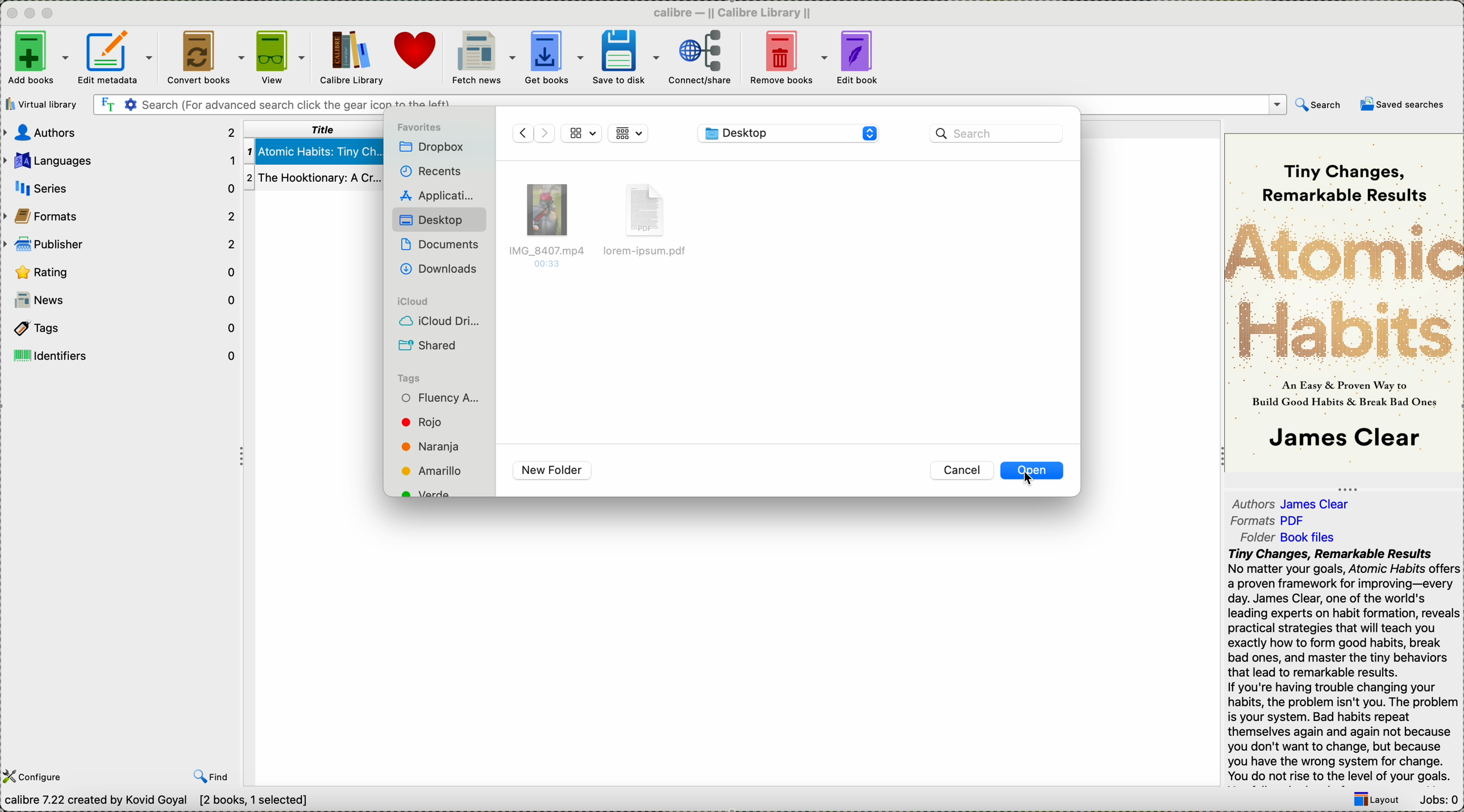 The width and height of the screenshot is (1464, 812). Describe the element at coordinates (427, 345) in the screenshot. I see `shared` at that location.